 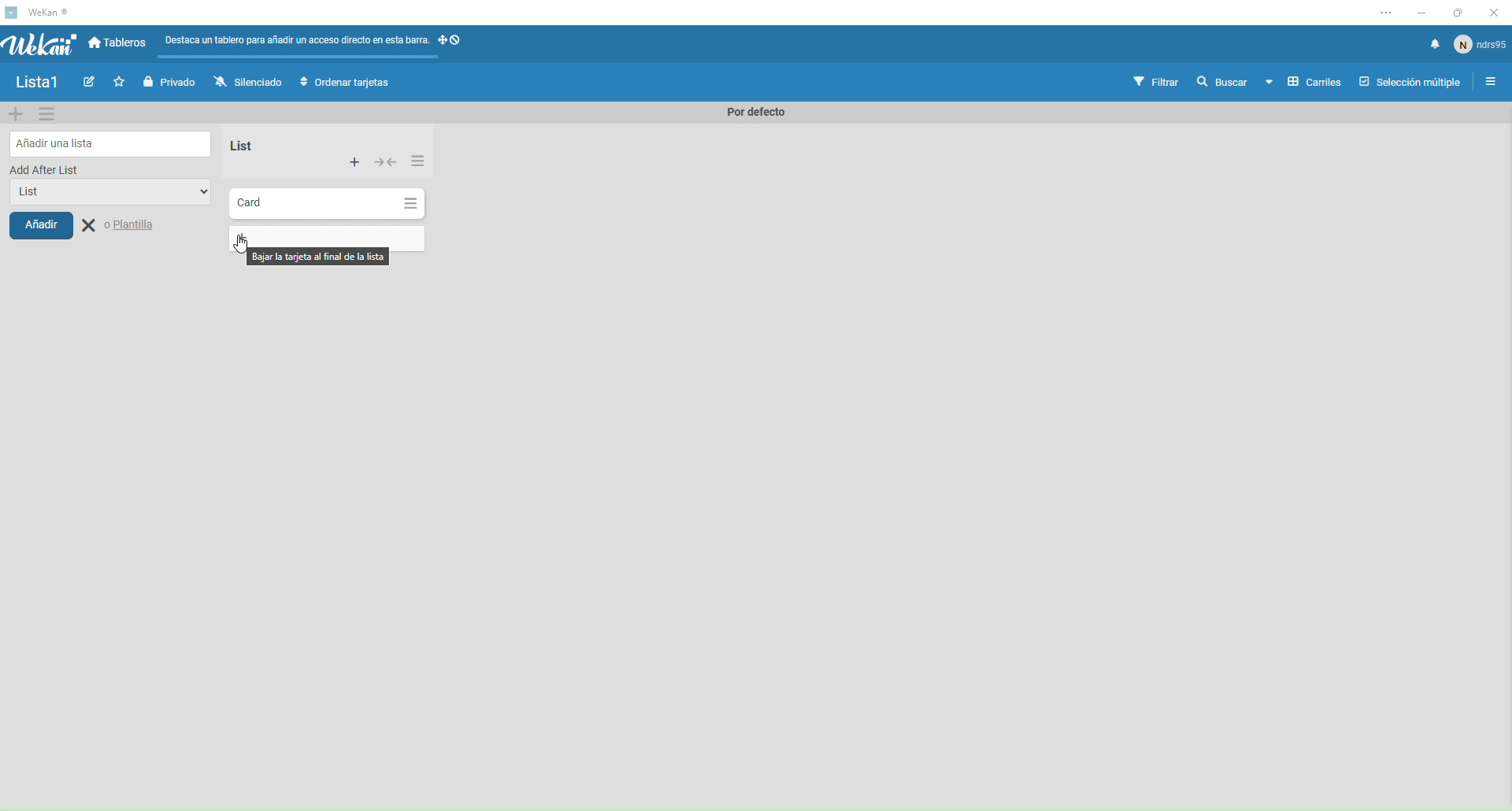 I want to click on Multiple Selection, so click(x=1412, y=83).